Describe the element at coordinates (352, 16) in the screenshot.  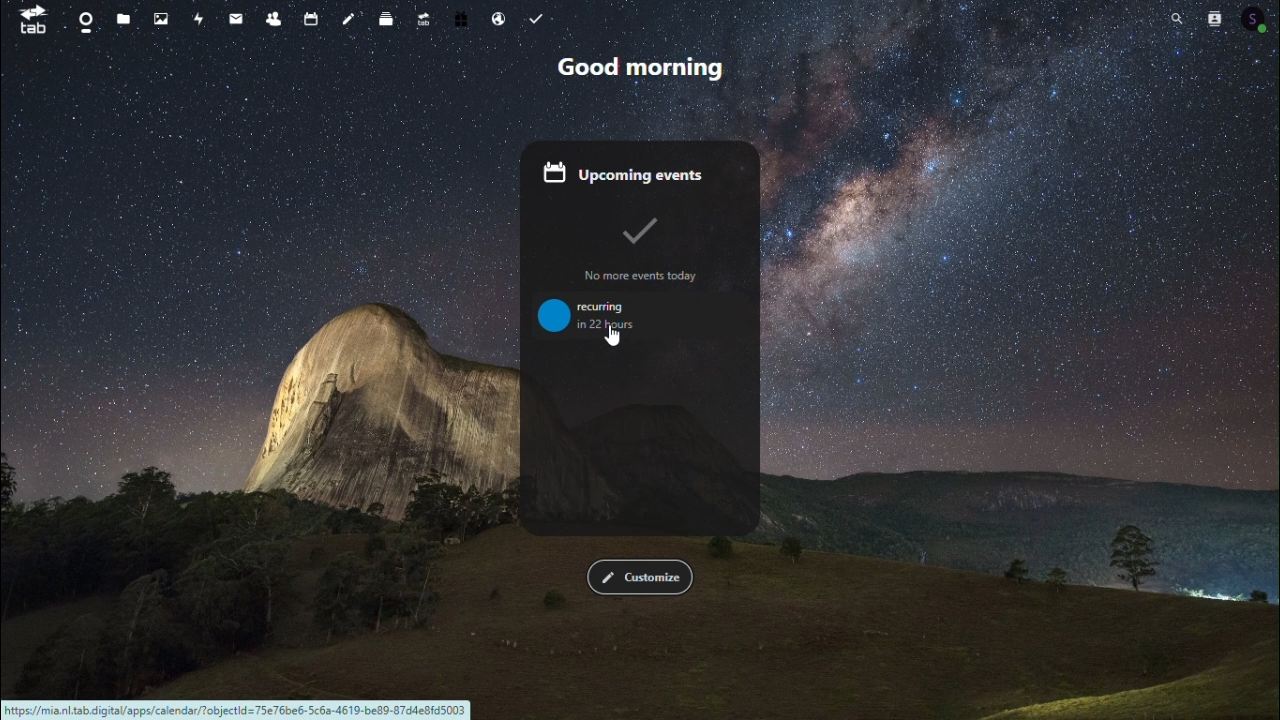
I see `notes` at that location.